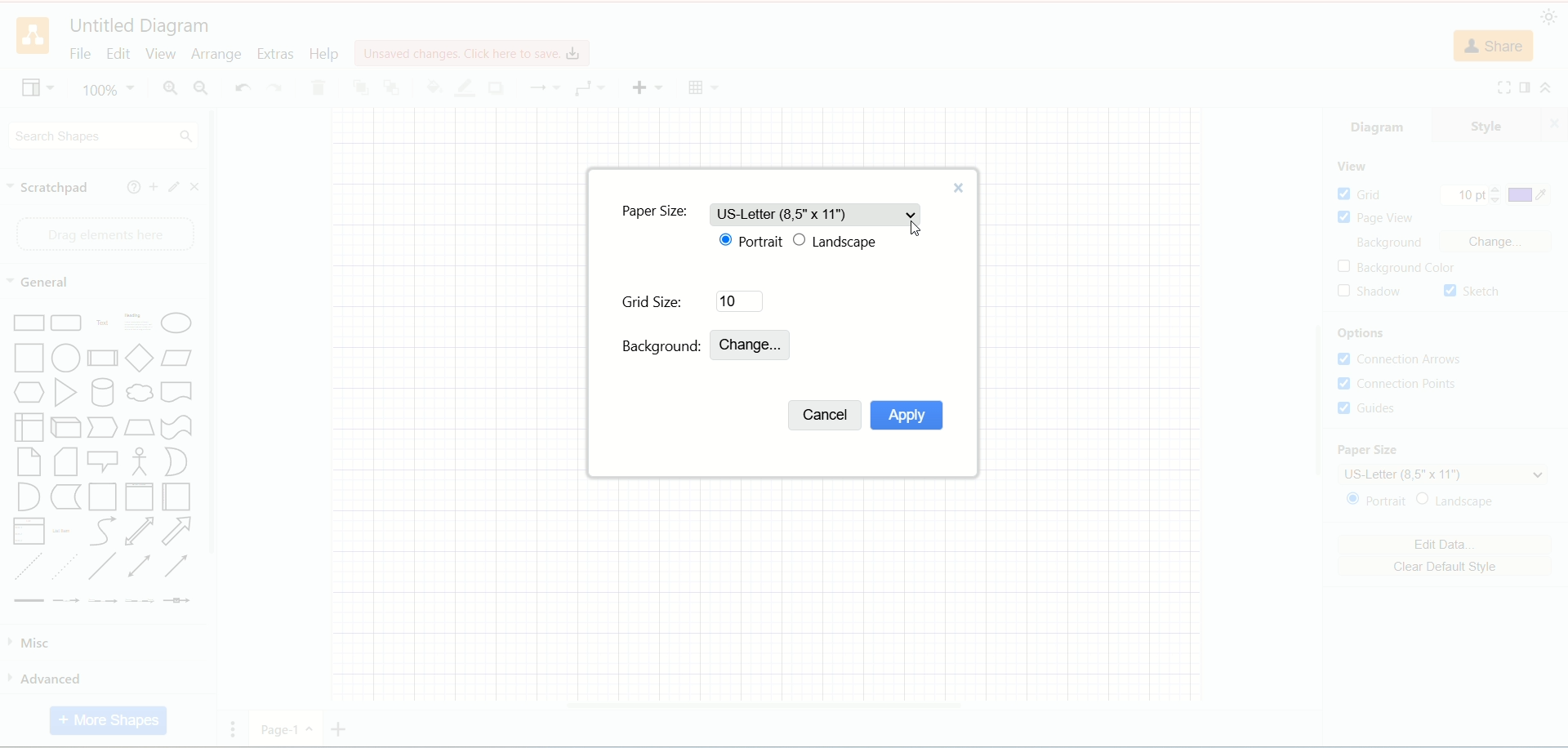 This screenshot has width=1568, height=748. Describe the element at coordinates (1526, 88) in the screenshot. I see `format` at that location.